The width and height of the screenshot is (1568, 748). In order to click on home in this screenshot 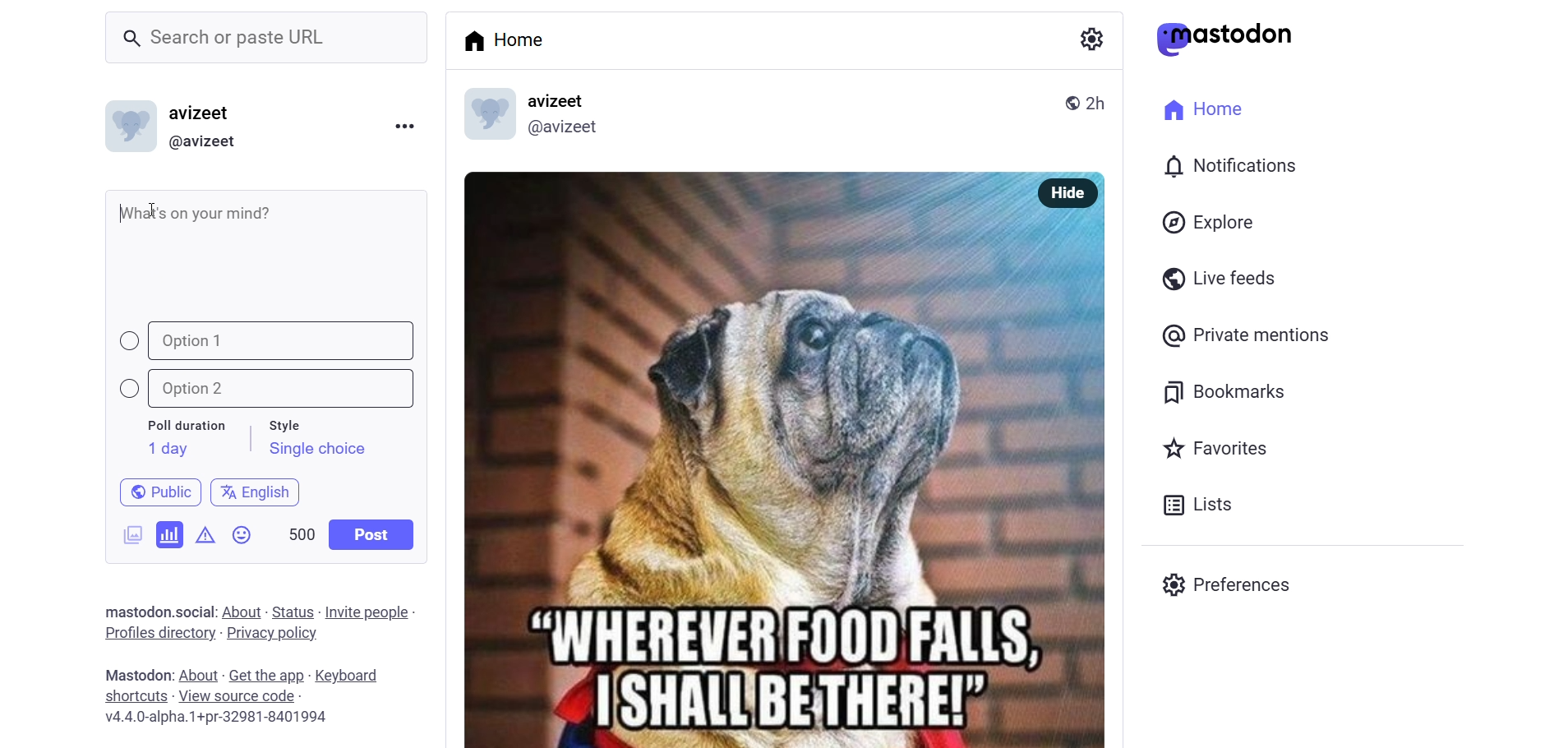, I will do `click(510, 39)`.